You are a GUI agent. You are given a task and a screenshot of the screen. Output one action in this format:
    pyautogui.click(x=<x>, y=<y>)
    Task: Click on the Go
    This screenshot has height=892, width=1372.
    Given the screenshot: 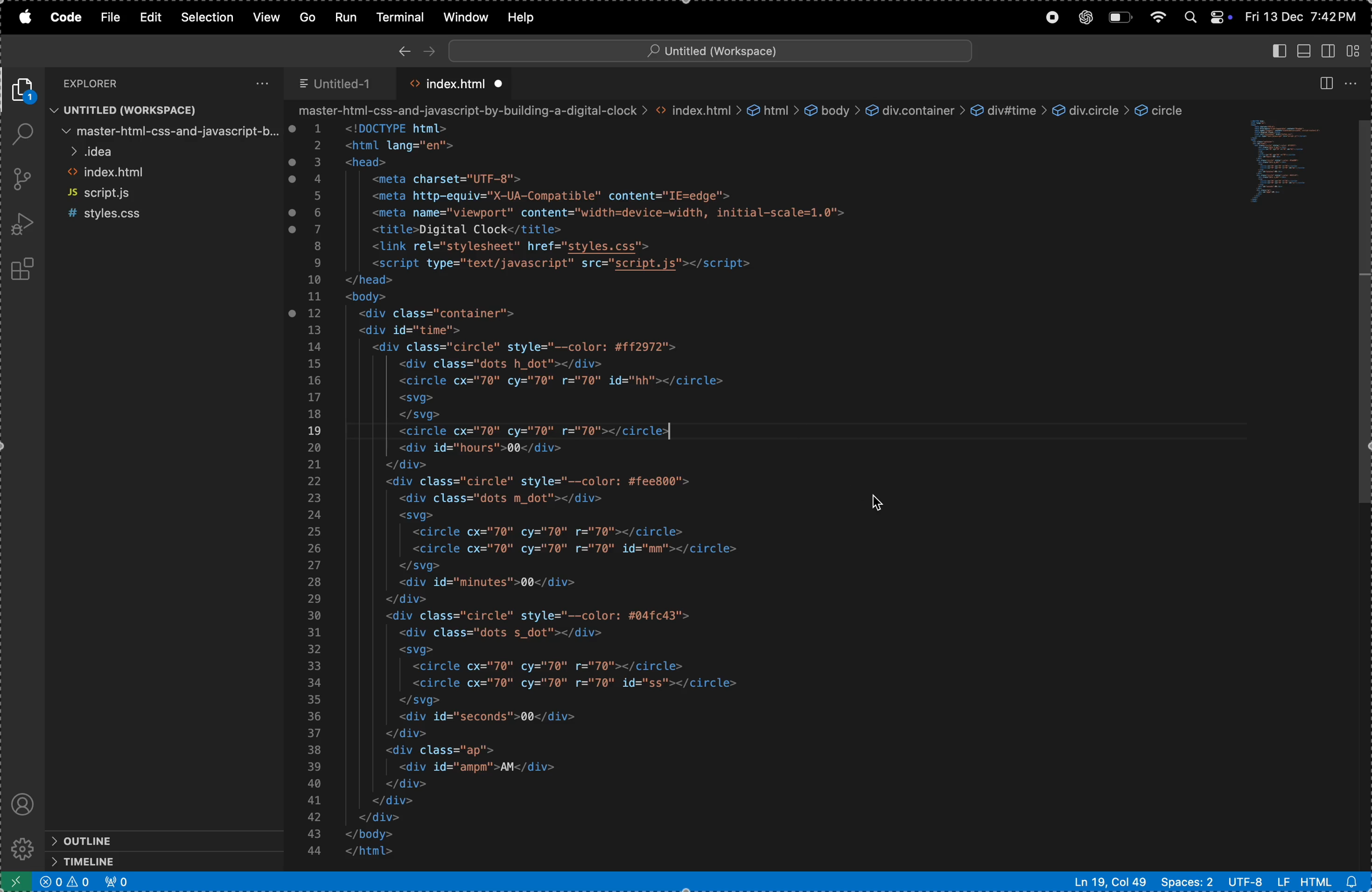 What is the action you would take?
    pyautogui.click(x=310, y=17)
    